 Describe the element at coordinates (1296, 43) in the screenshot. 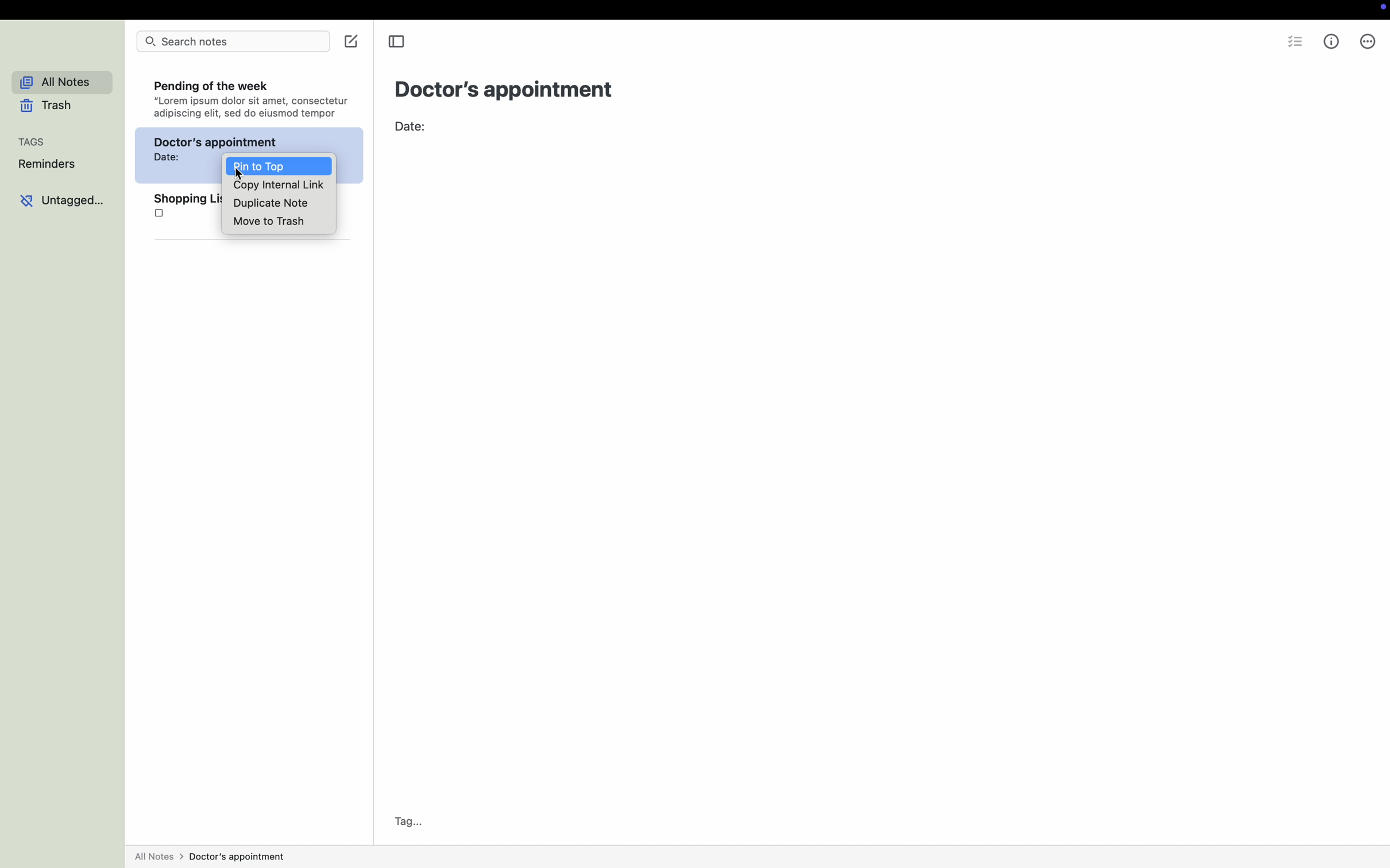

I see `insert checklist` at that location.